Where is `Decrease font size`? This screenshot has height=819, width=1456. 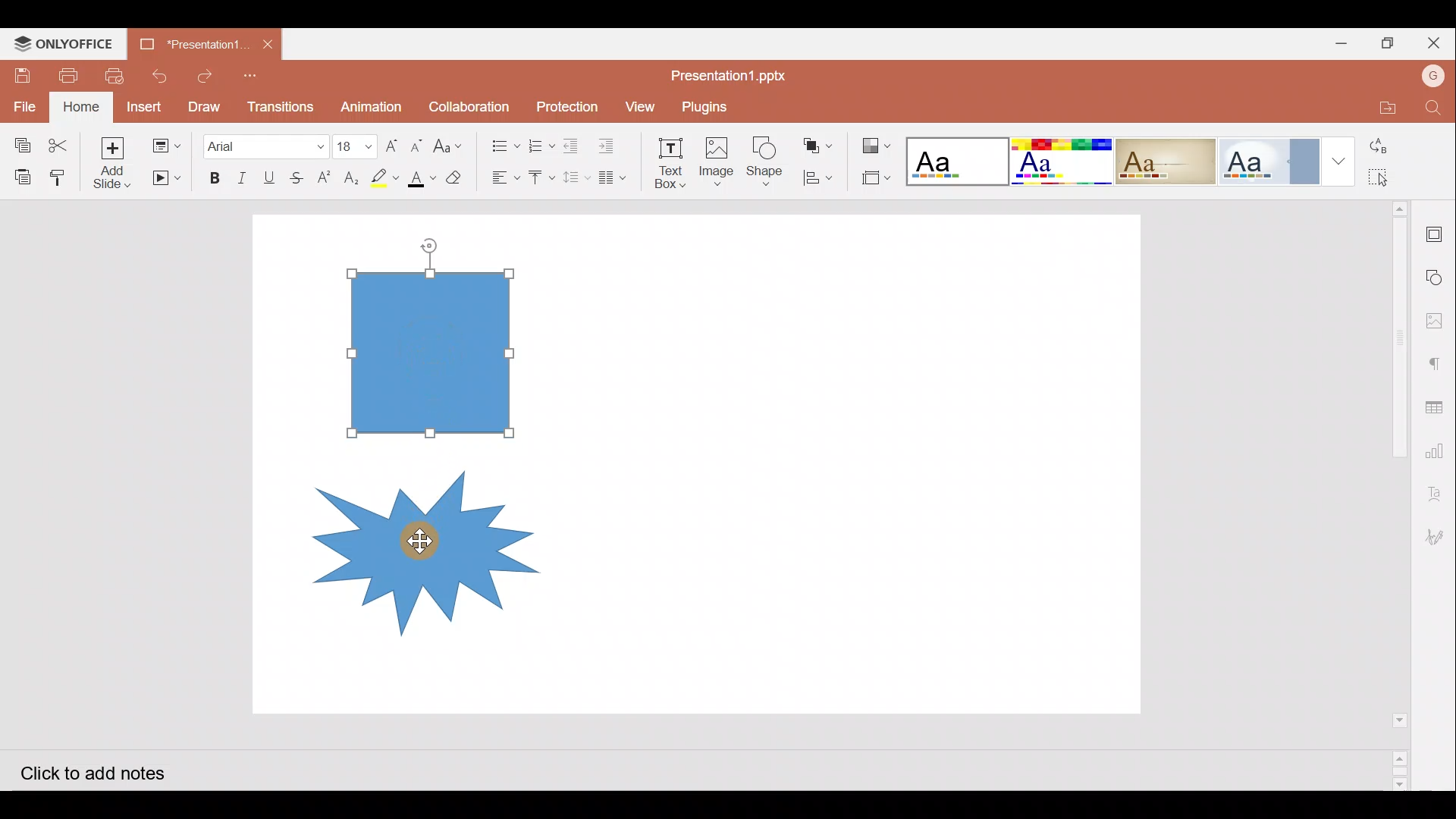
Decrease font size is located at coordinates (419, 143).